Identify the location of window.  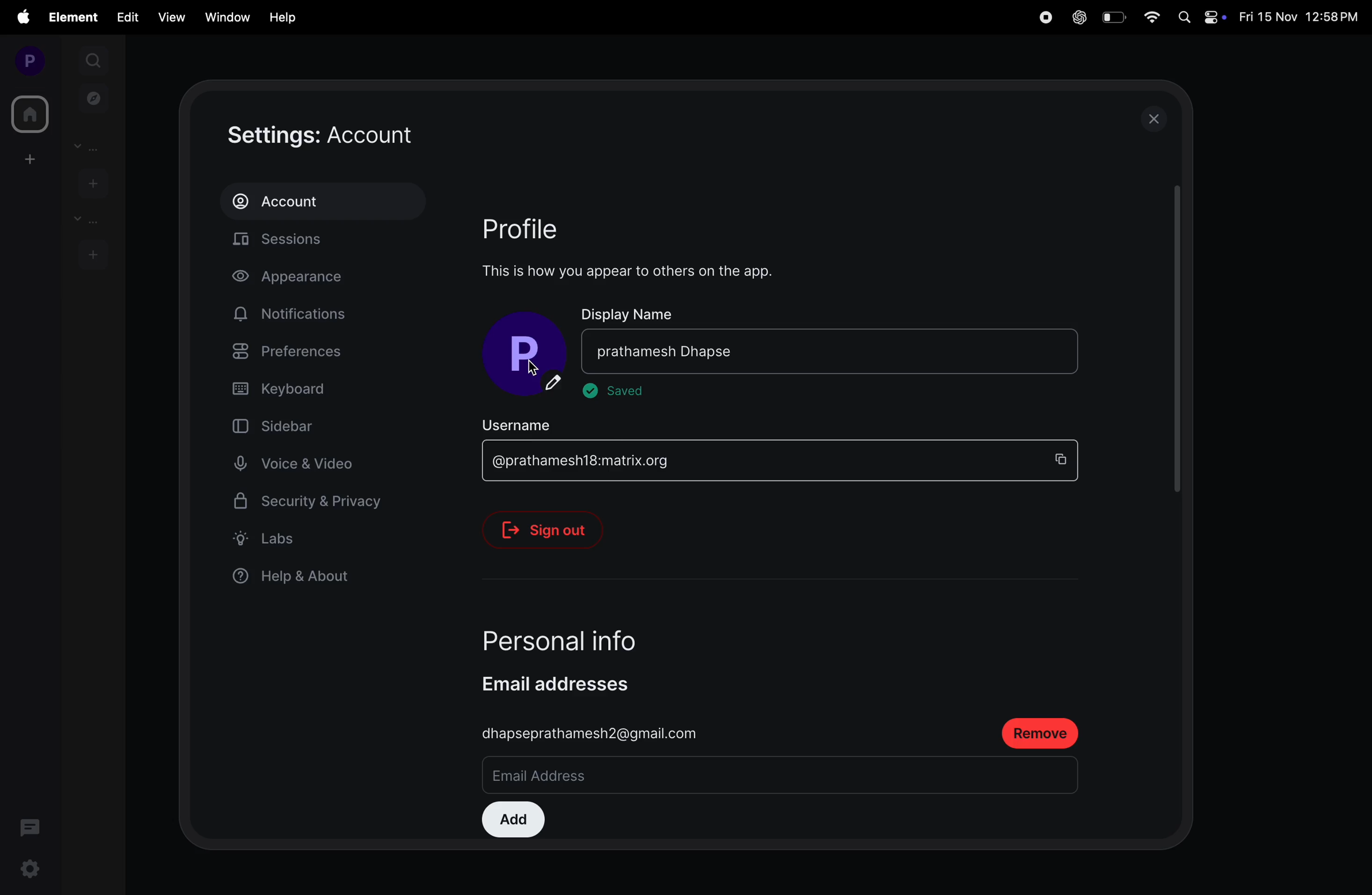
(225, 16).